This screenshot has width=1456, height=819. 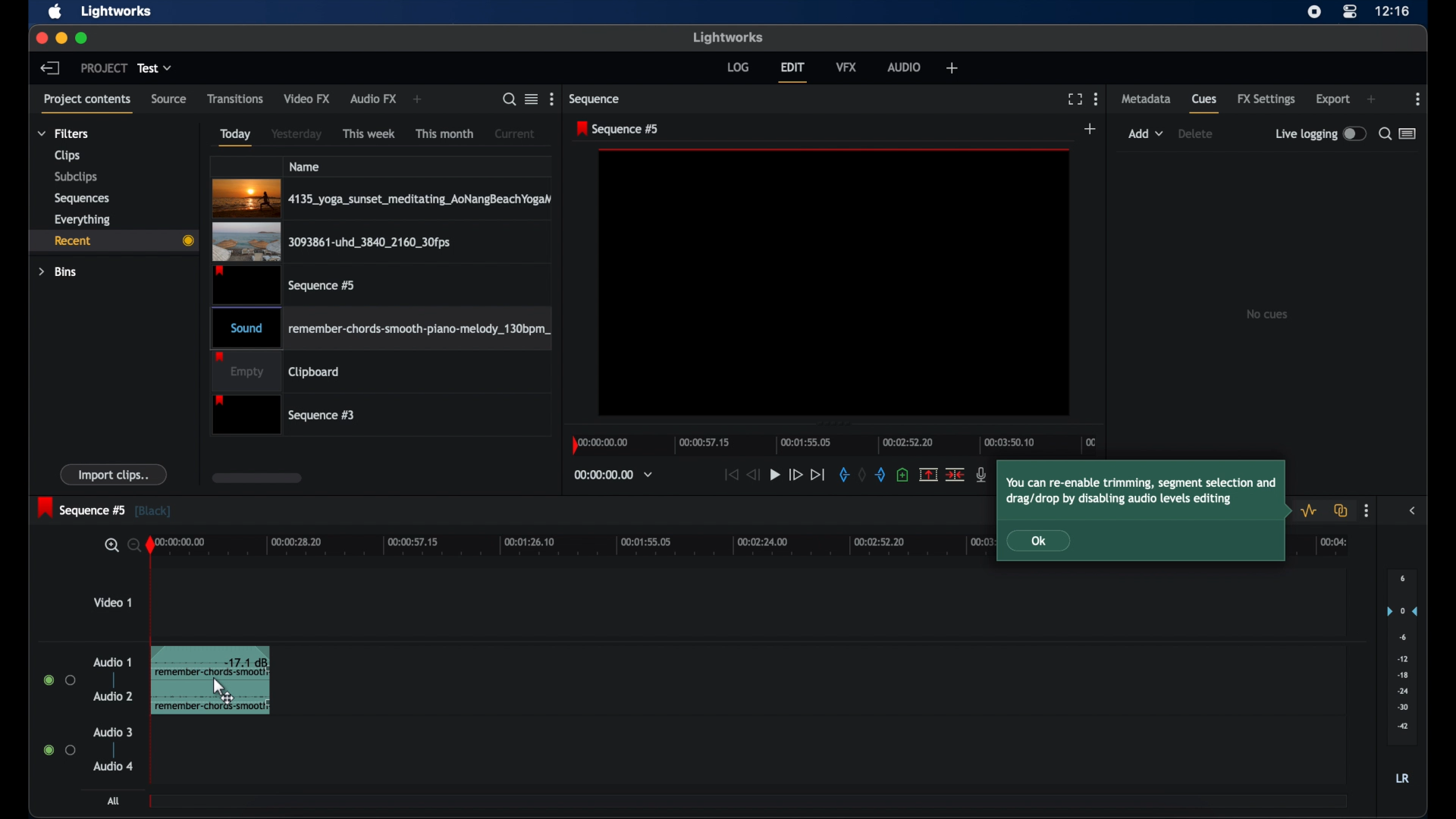 I want to click on audio 1, so click(x=113, y=662).